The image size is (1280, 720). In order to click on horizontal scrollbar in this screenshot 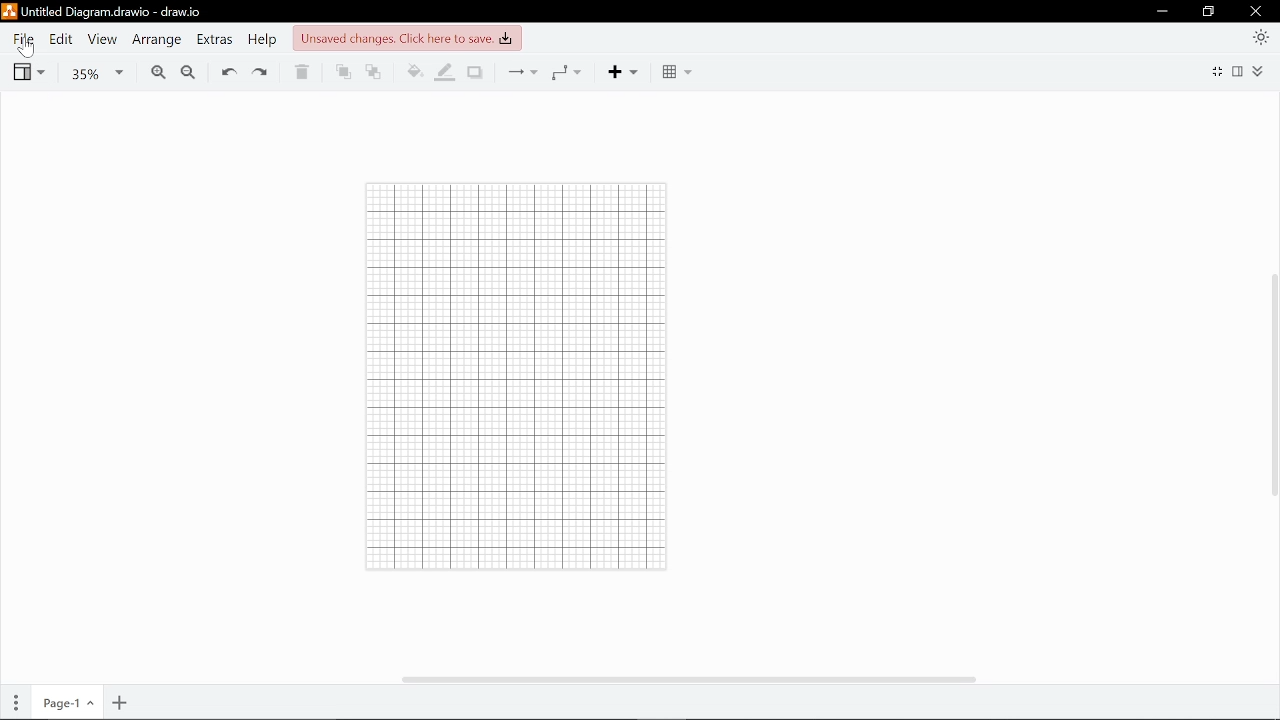, I will do `click(696, 676)`.